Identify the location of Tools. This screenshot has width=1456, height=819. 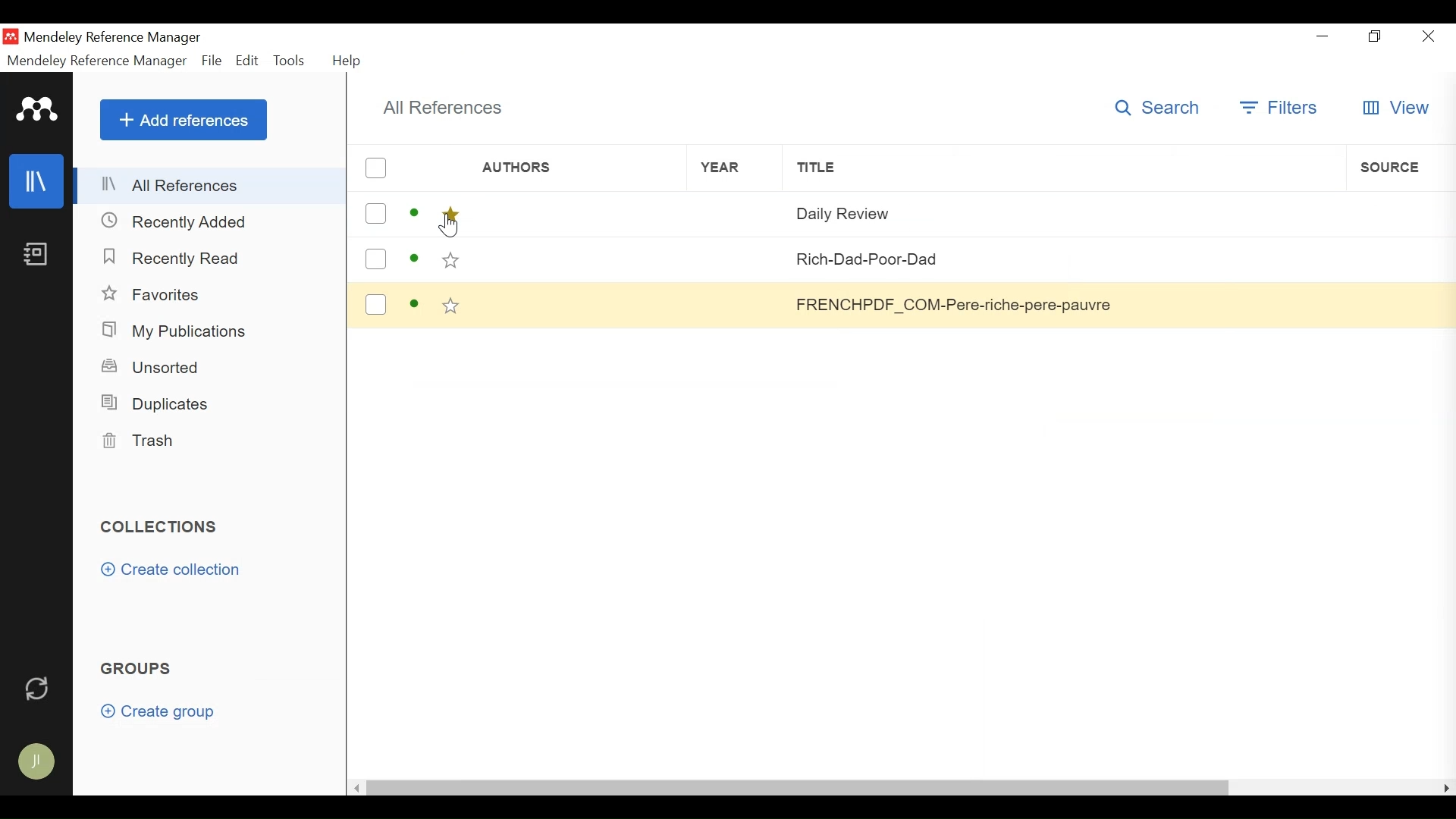
(292, 60).